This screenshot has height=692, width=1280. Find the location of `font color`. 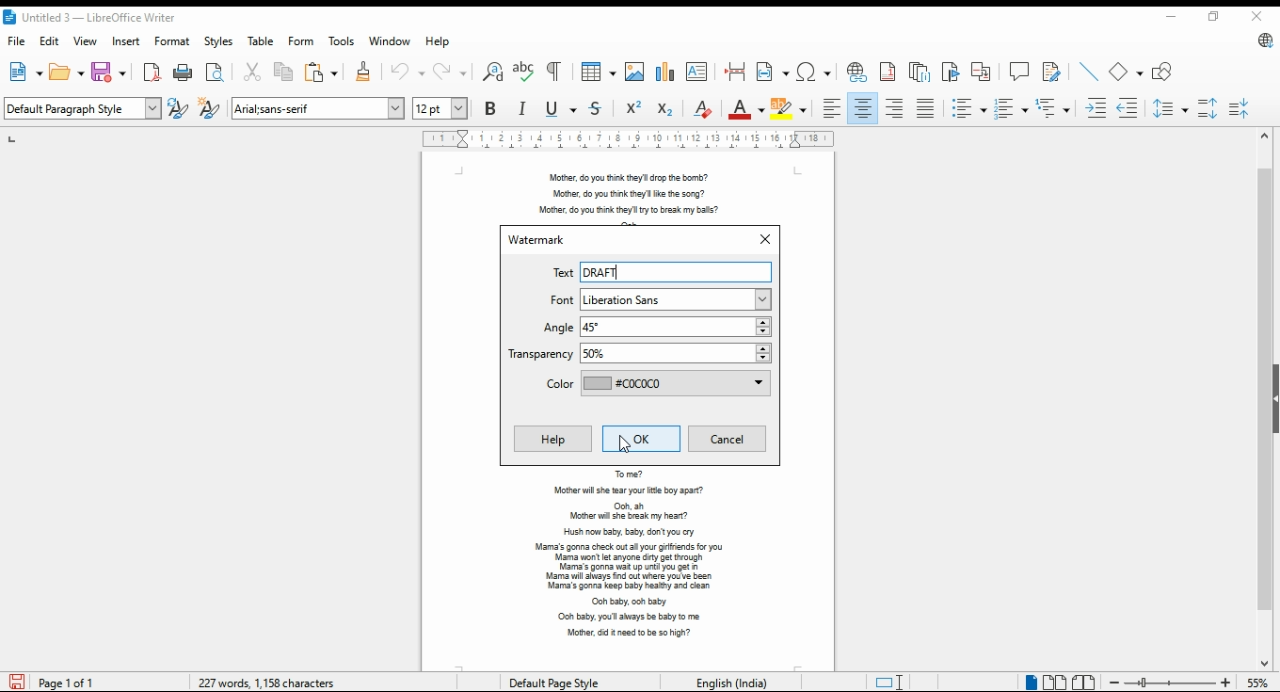

font color is located at coordinates (746, 108).